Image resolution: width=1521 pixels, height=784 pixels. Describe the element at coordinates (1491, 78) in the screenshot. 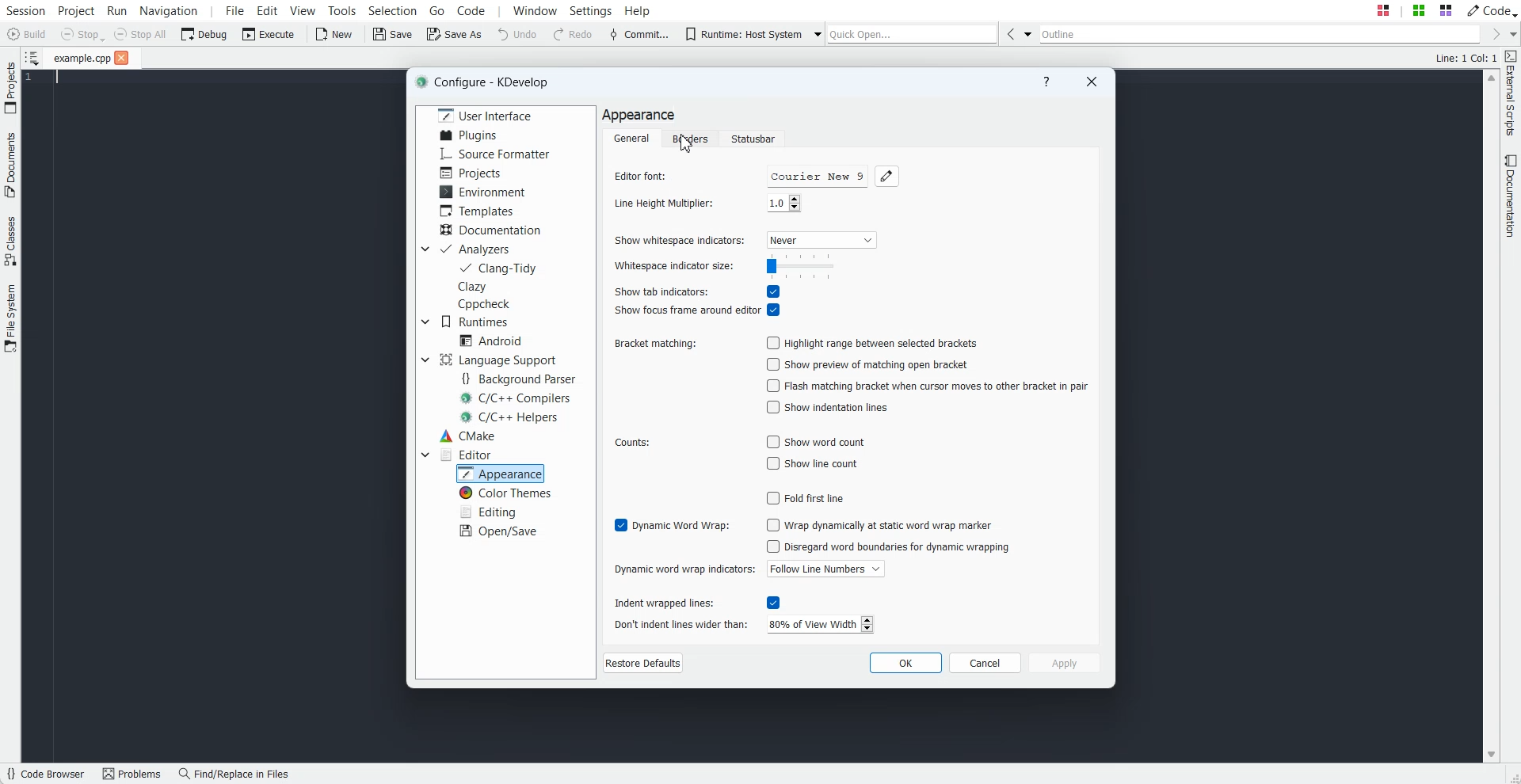

I see `Scroll up` at that location.